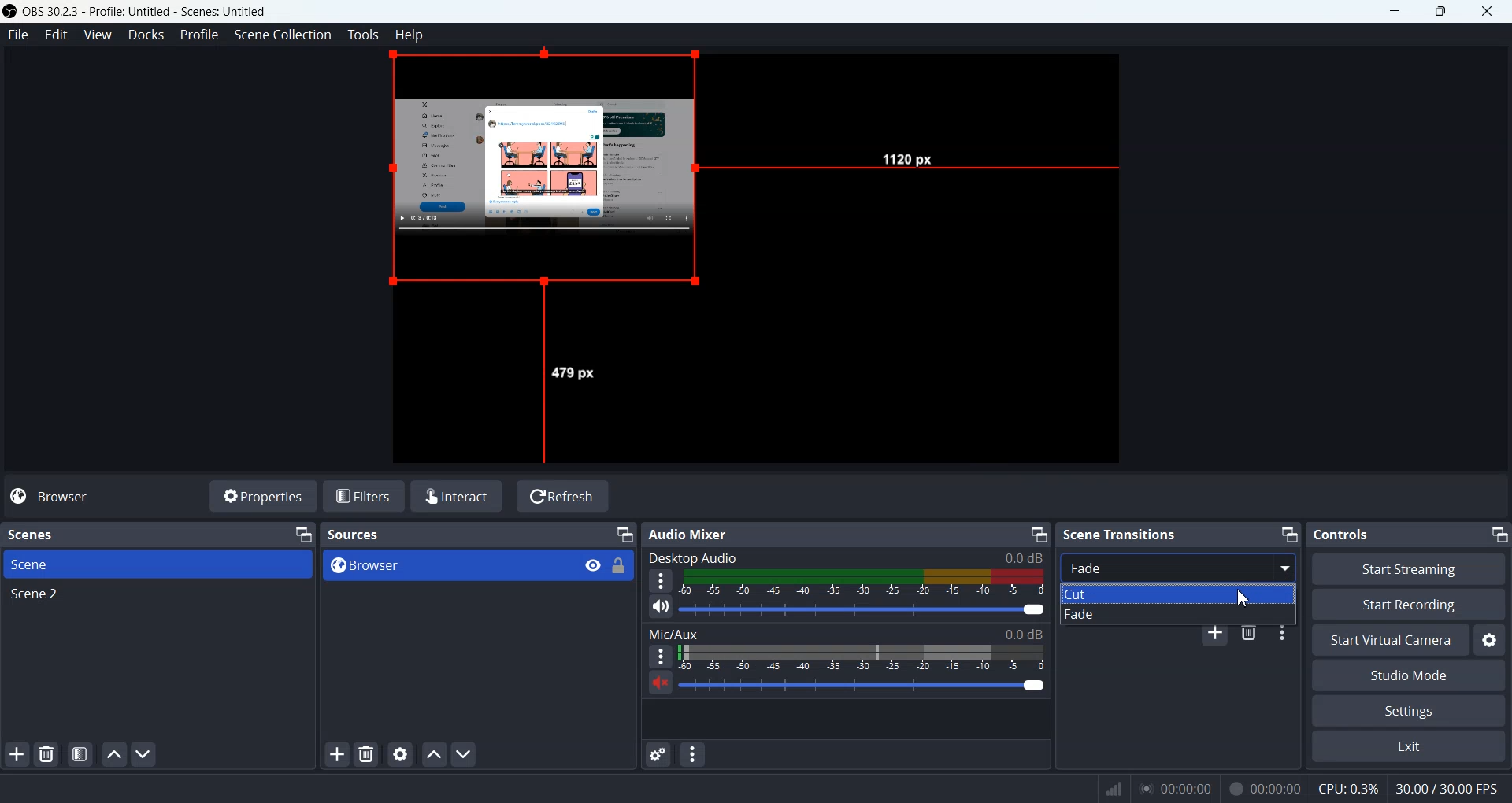 The image size is (1512, 803). I want to click on Text, so click(1342, 535).